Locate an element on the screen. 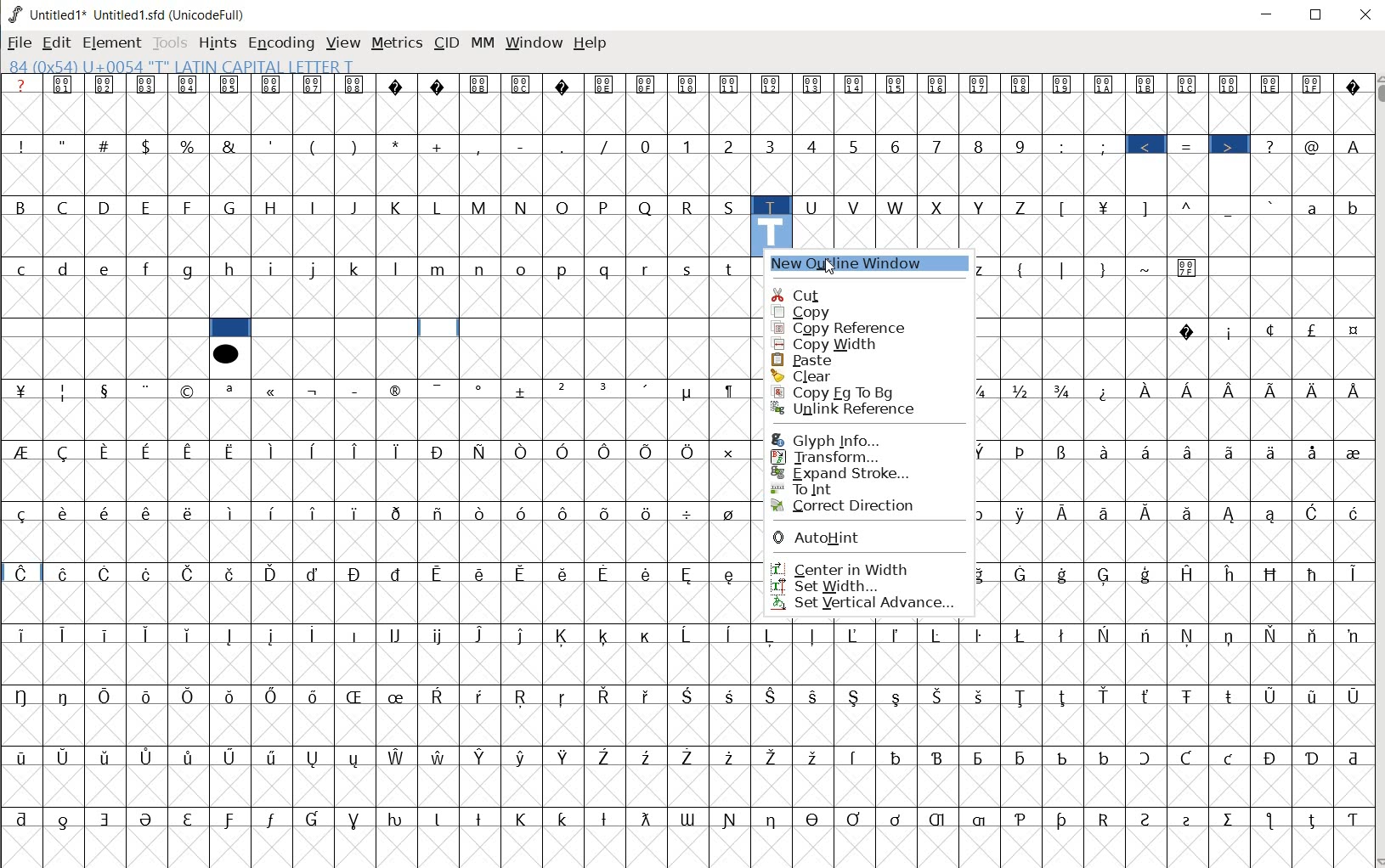 This screenshot has height=868, width=1385. N is located at coordinates (523, 206).